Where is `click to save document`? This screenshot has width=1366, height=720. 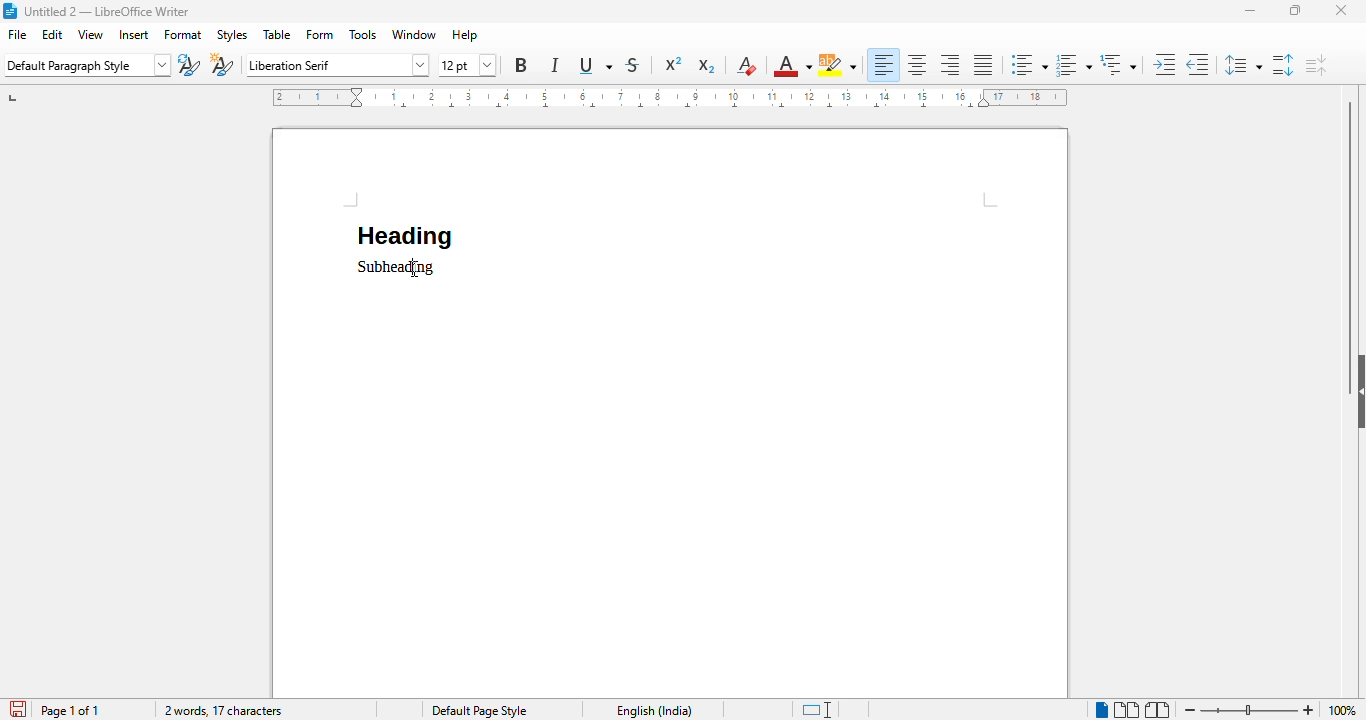
click to save document is located at coordinates (19, 709).